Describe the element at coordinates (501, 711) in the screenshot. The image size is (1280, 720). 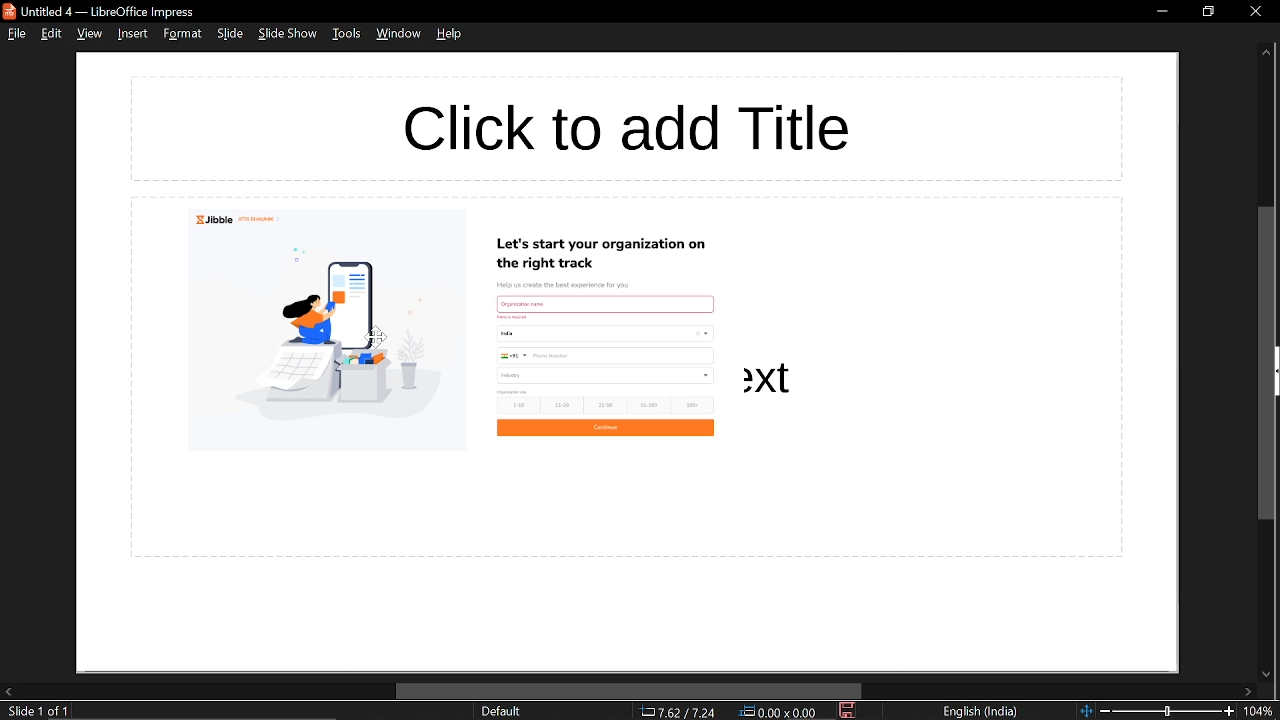
I see `slide style` at that location.